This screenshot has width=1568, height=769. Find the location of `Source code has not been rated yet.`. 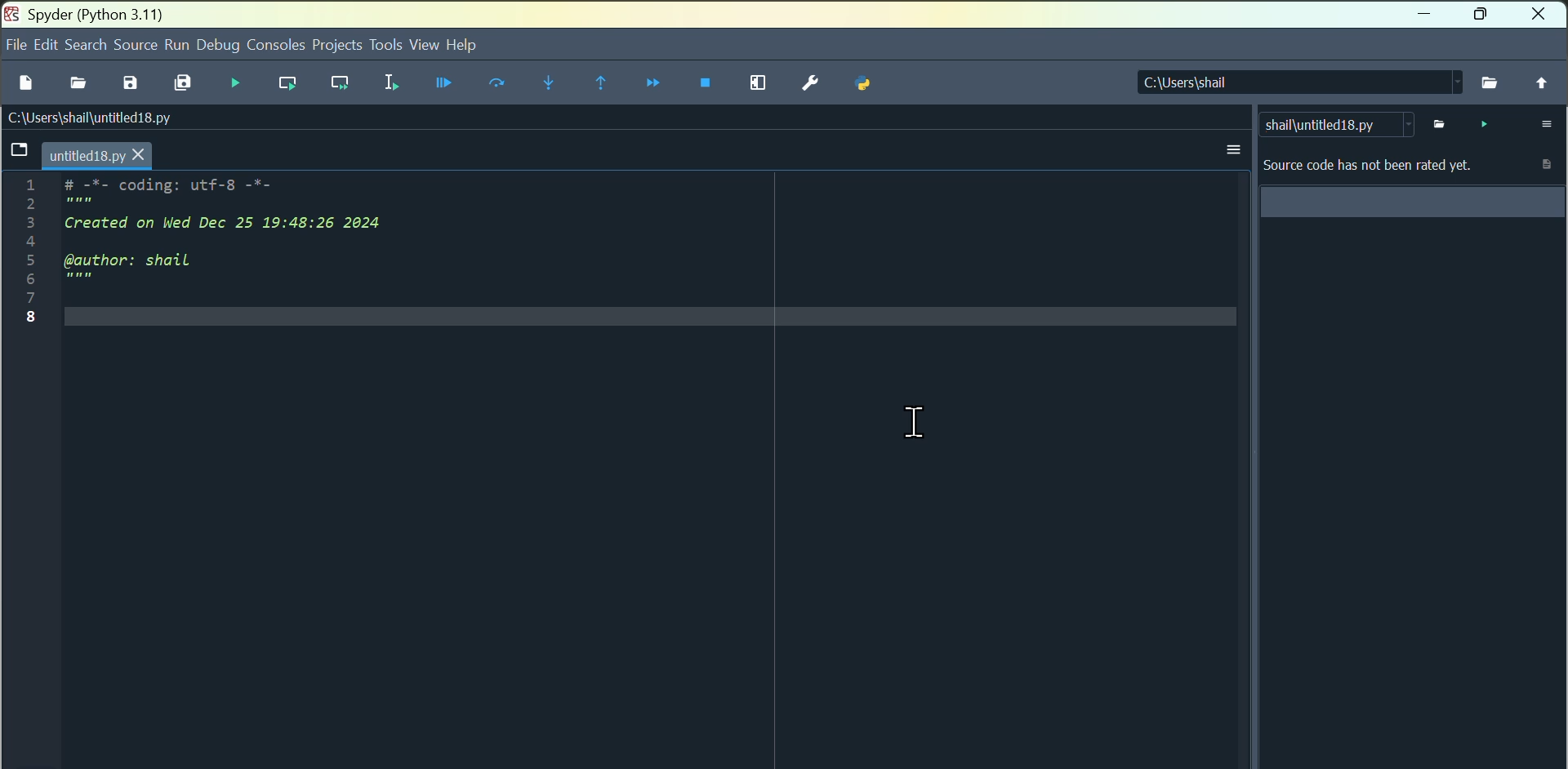

Source code has not been rated yet. is located at coordinates (1411, 184).